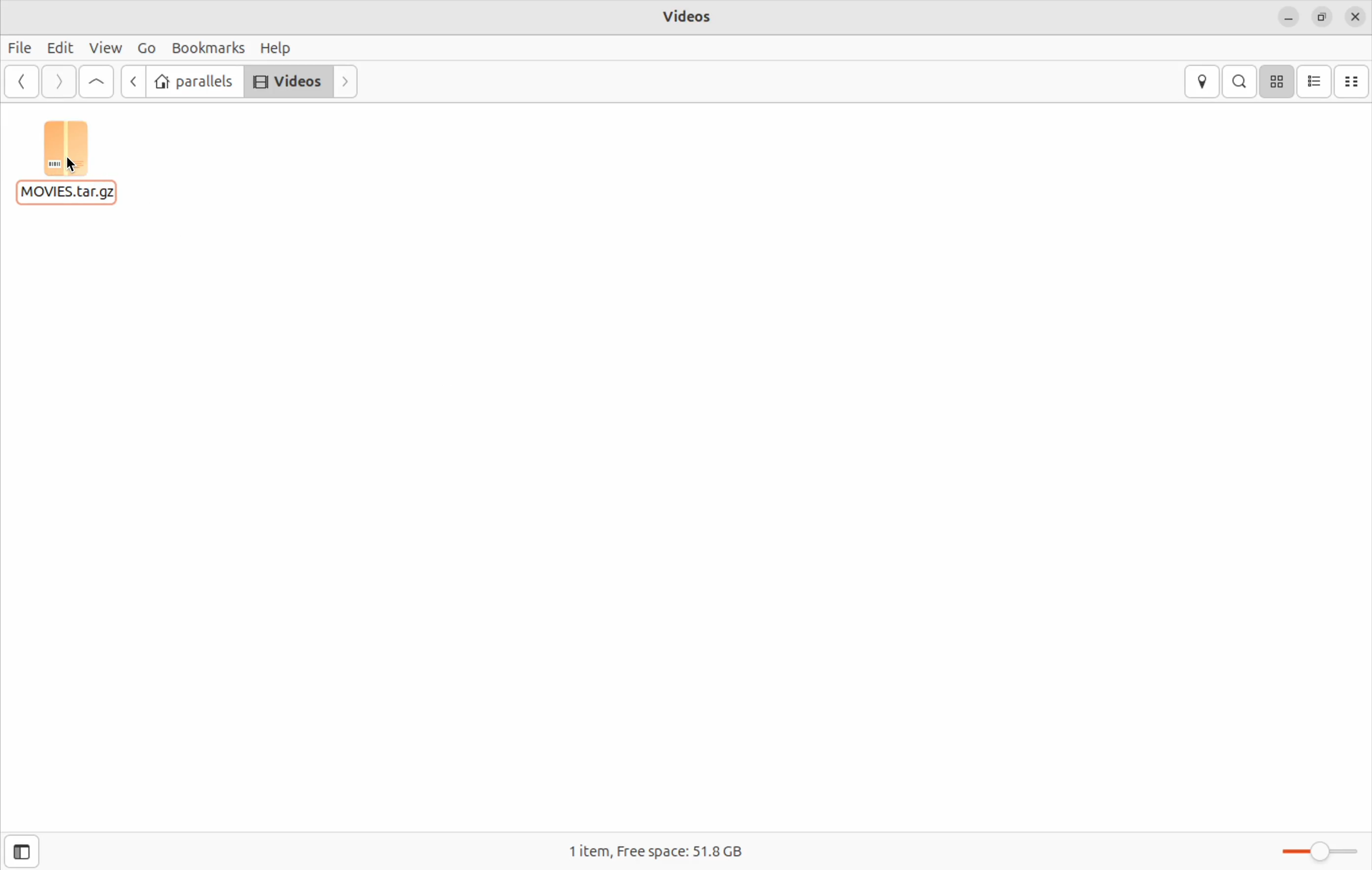 Image resolution: width=1372 pixels, height=870 pixels. What do you see at coordinates (1357, 15) in the screenshot?
I see `close` at bounding box center [1357, 15].